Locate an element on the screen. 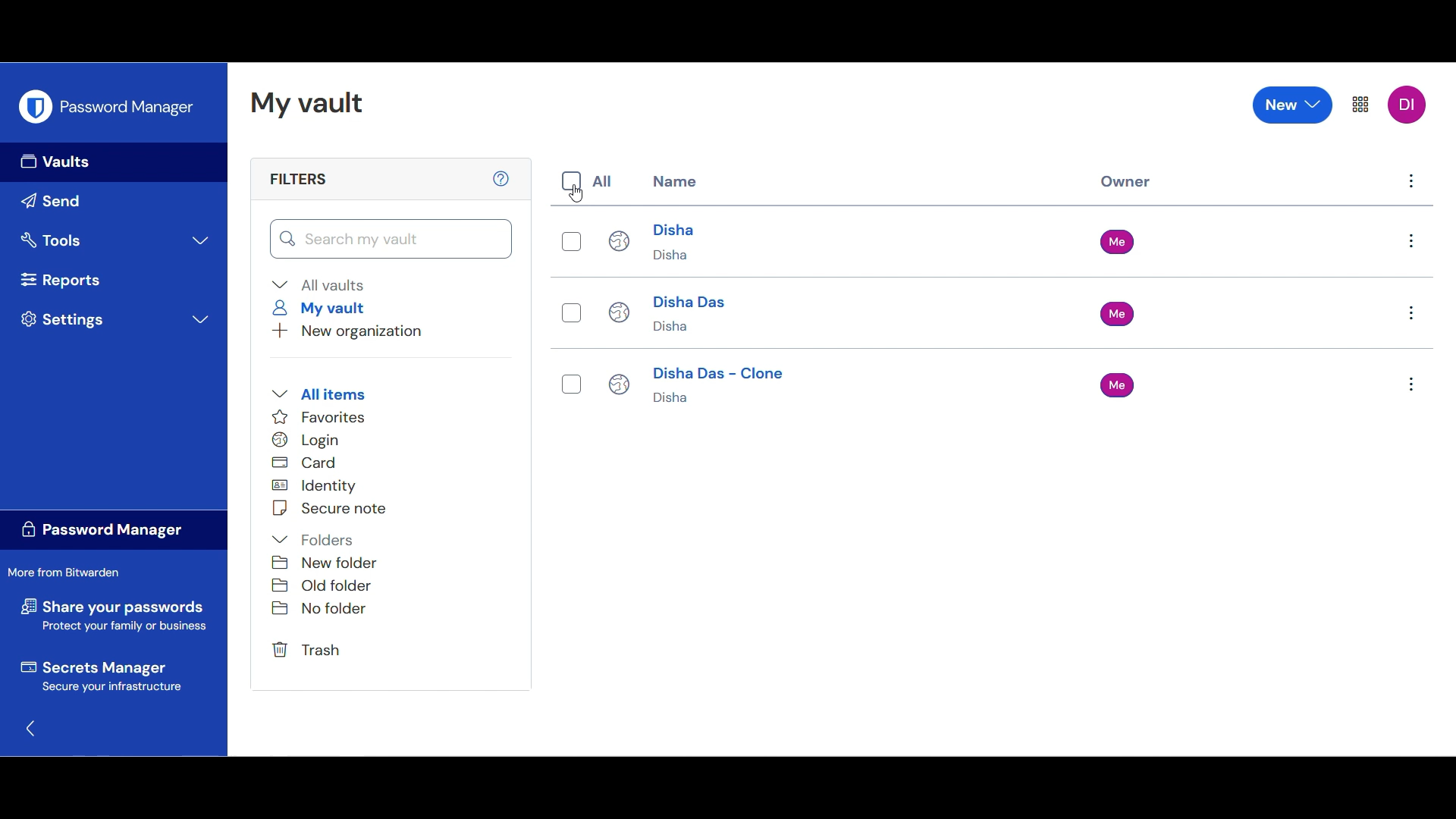 The width and height of the screenshot is (1456, 819). Collapse all vaults is located at coordinates (318, 285).